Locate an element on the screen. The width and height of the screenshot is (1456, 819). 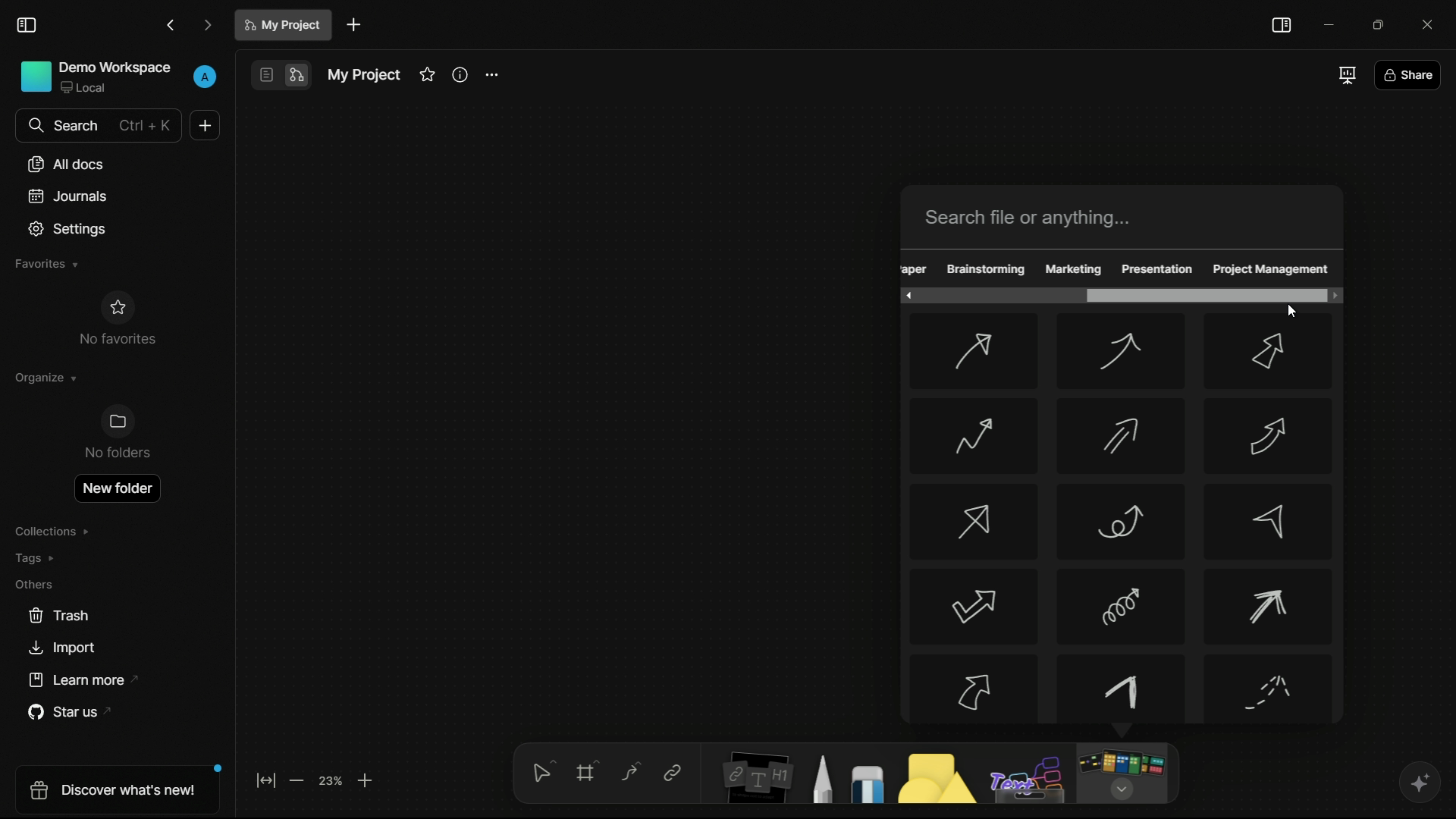
close app is located at coordinates (1432, 24).